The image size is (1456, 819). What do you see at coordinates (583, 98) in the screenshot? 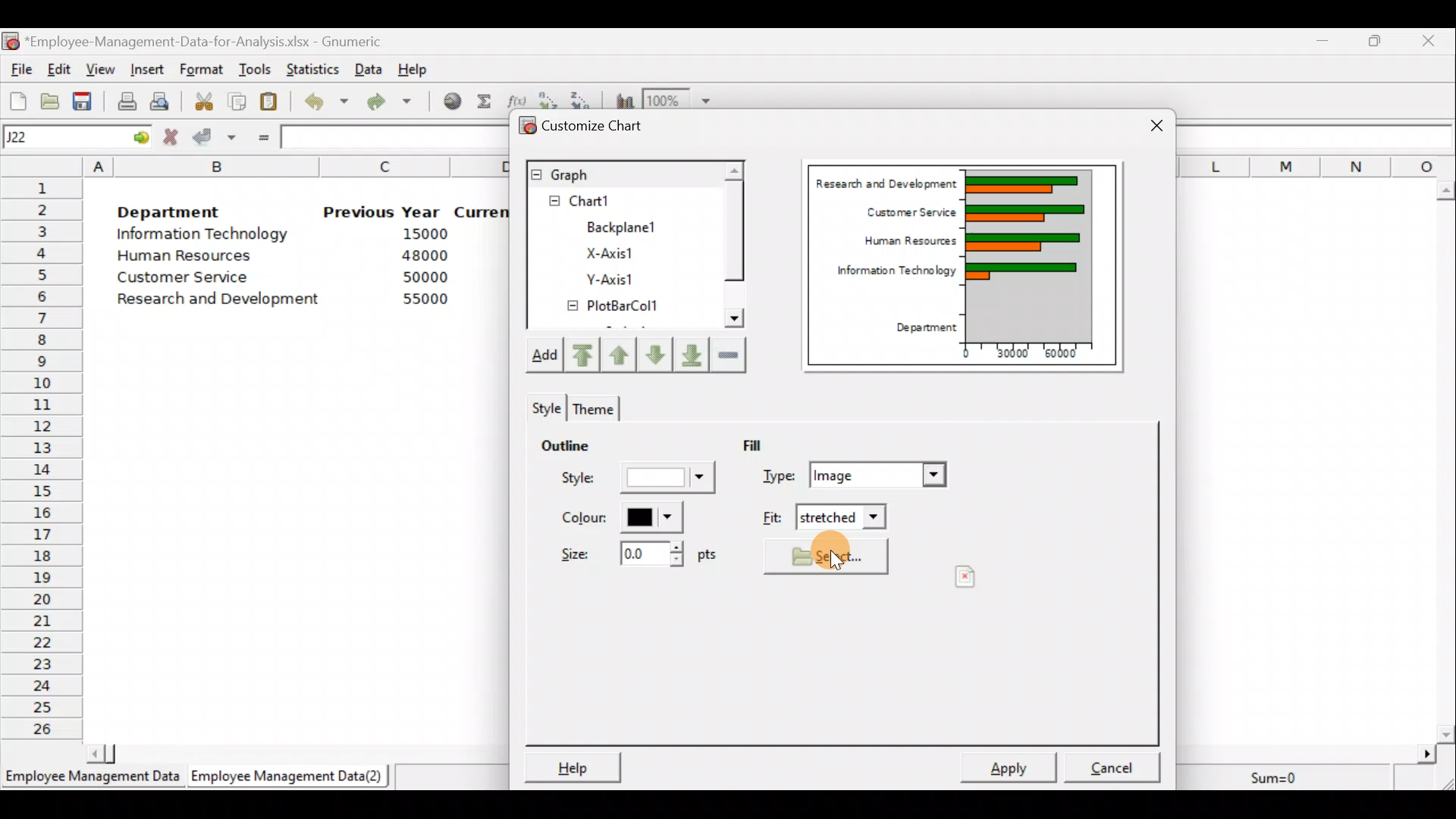
I see `Sort in descending order` at bounding box center [583, 98].